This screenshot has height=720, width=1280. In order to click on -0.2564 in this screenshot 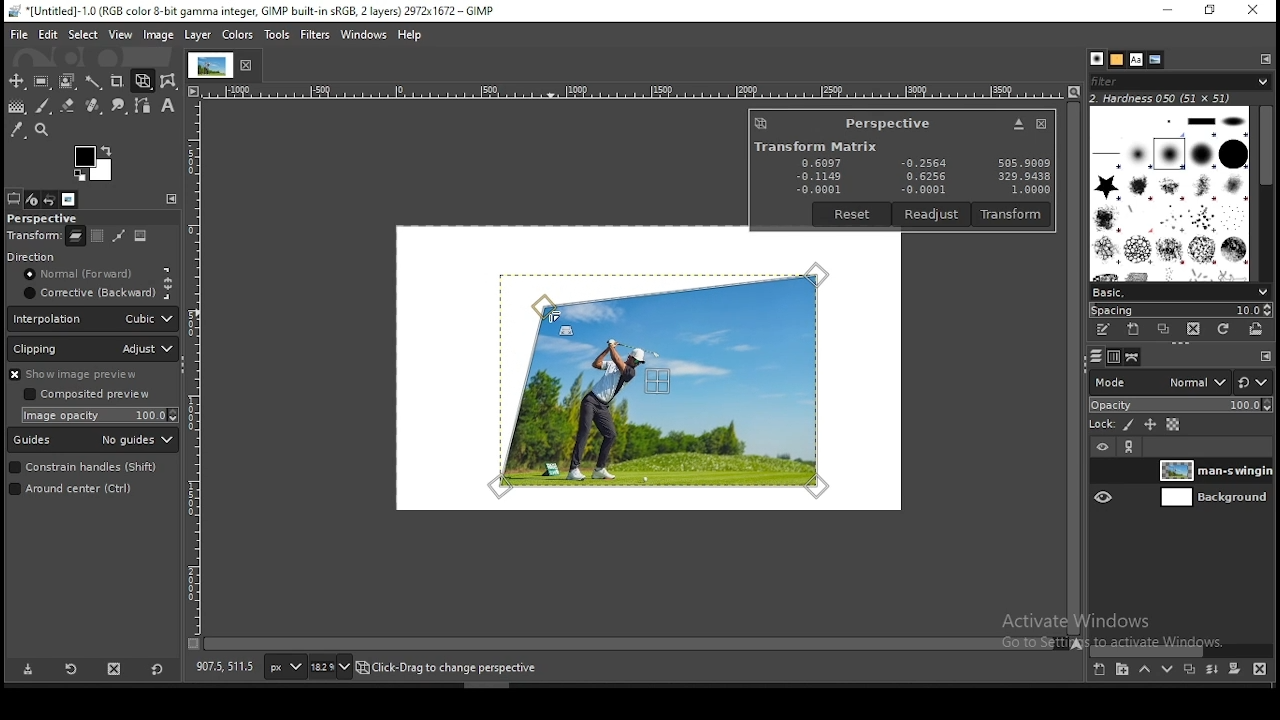, I will do `click(922, 164)`.